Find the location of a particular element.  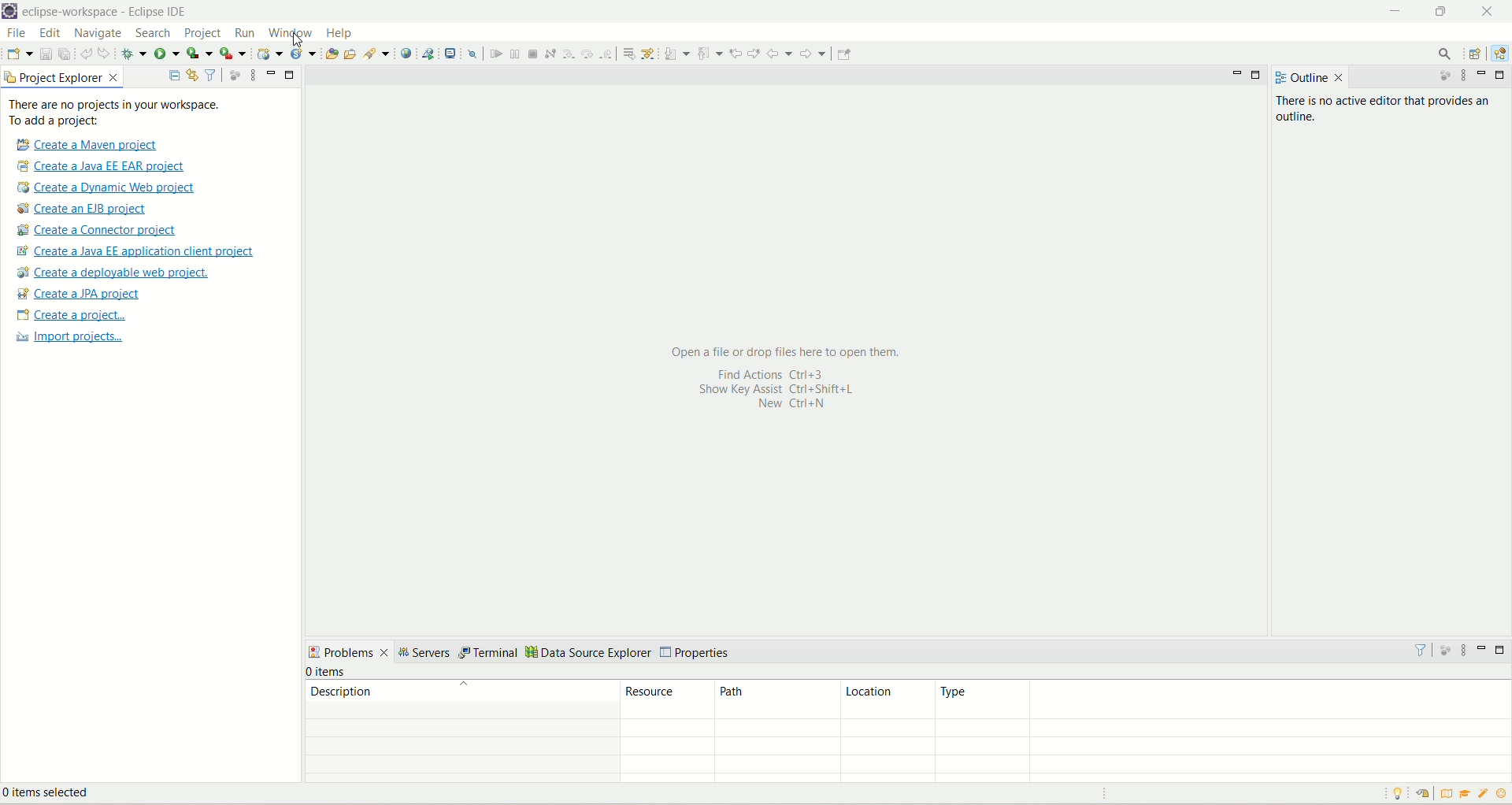

debug is located at coordinates (134, 54).